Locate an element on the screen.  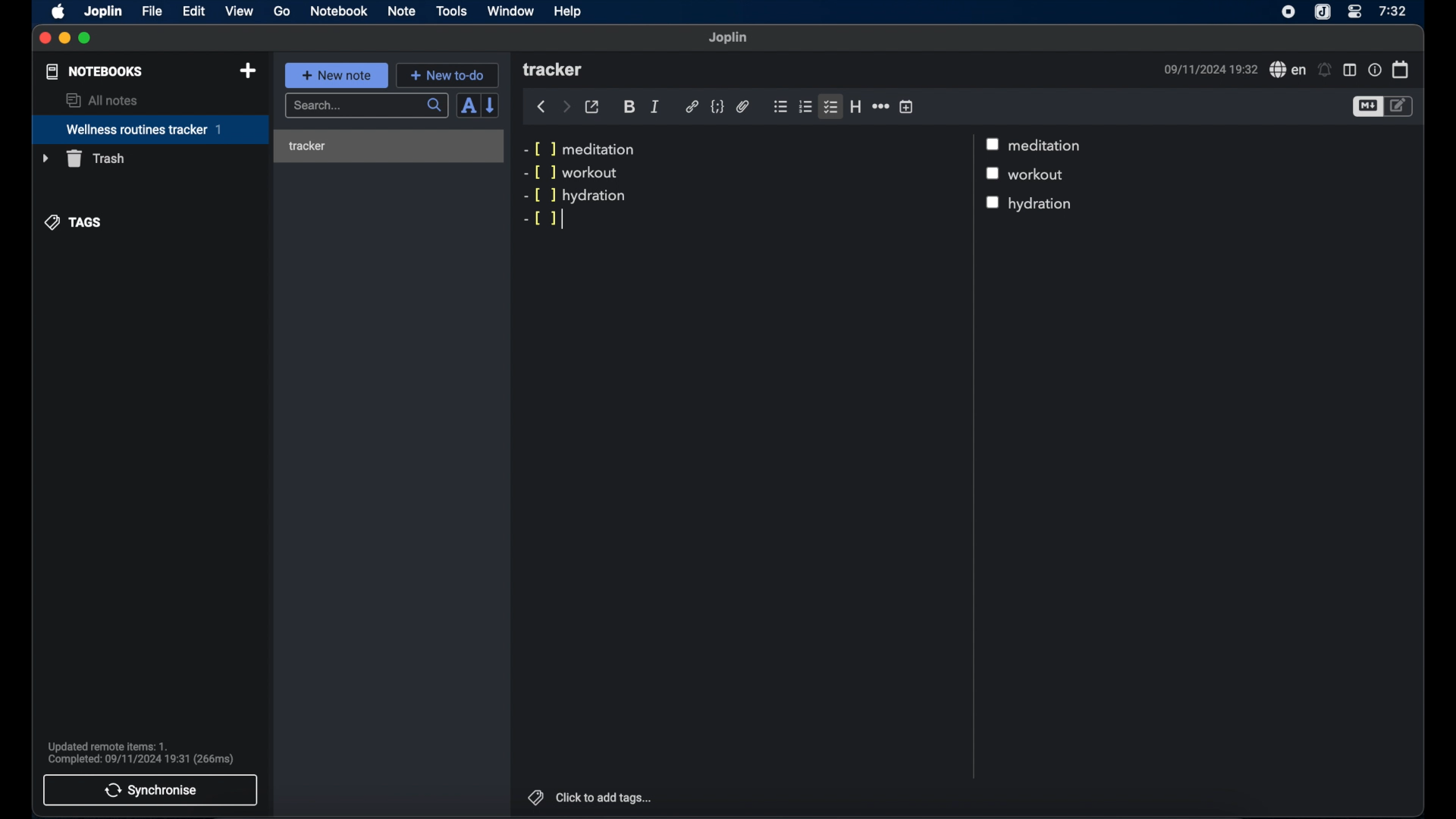
note properties is located at coordinates (1374, 69).